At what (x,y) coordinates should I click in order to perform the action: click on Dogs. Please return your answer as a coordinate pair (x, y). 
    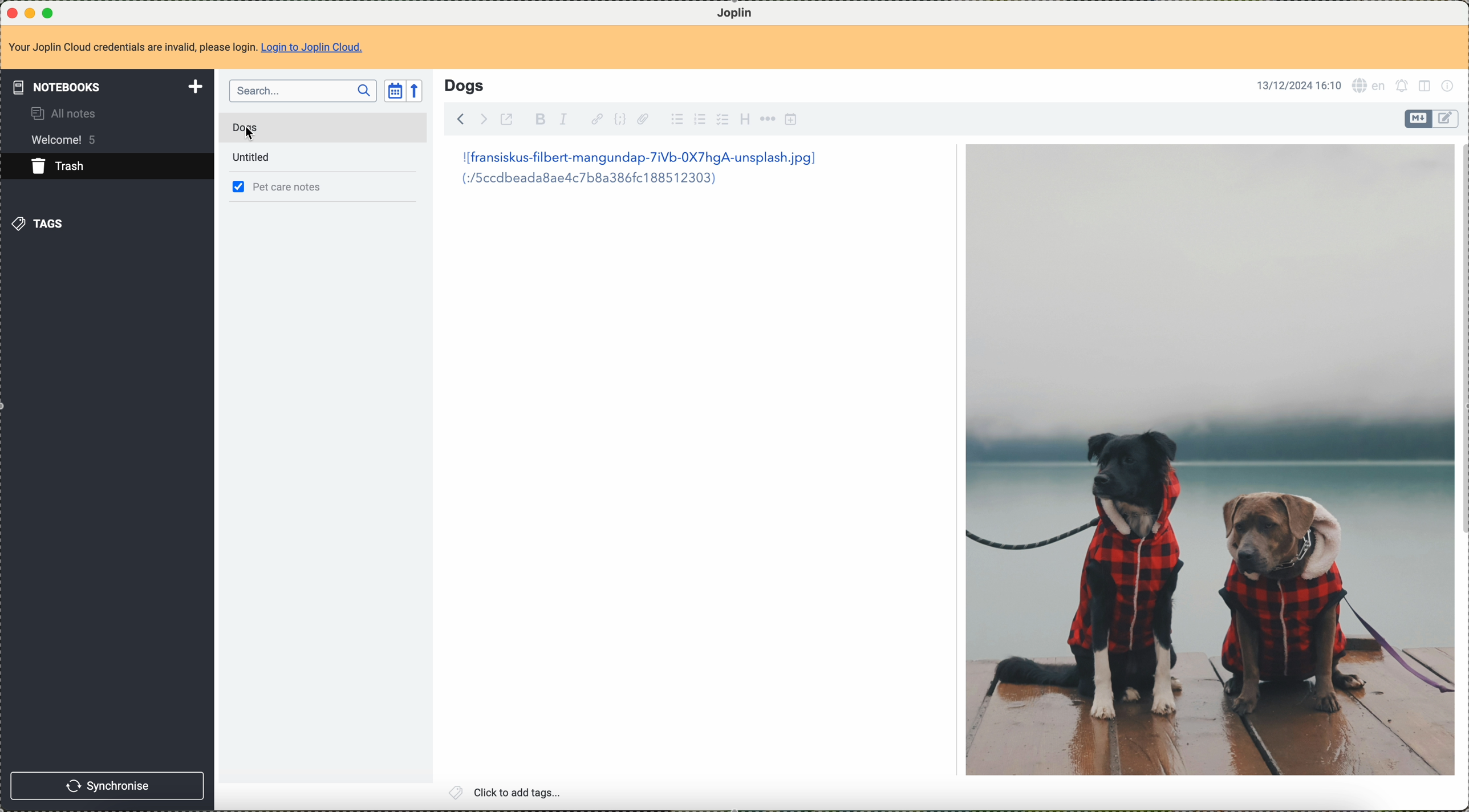
    Looking at the image, I should click on (464, 84).